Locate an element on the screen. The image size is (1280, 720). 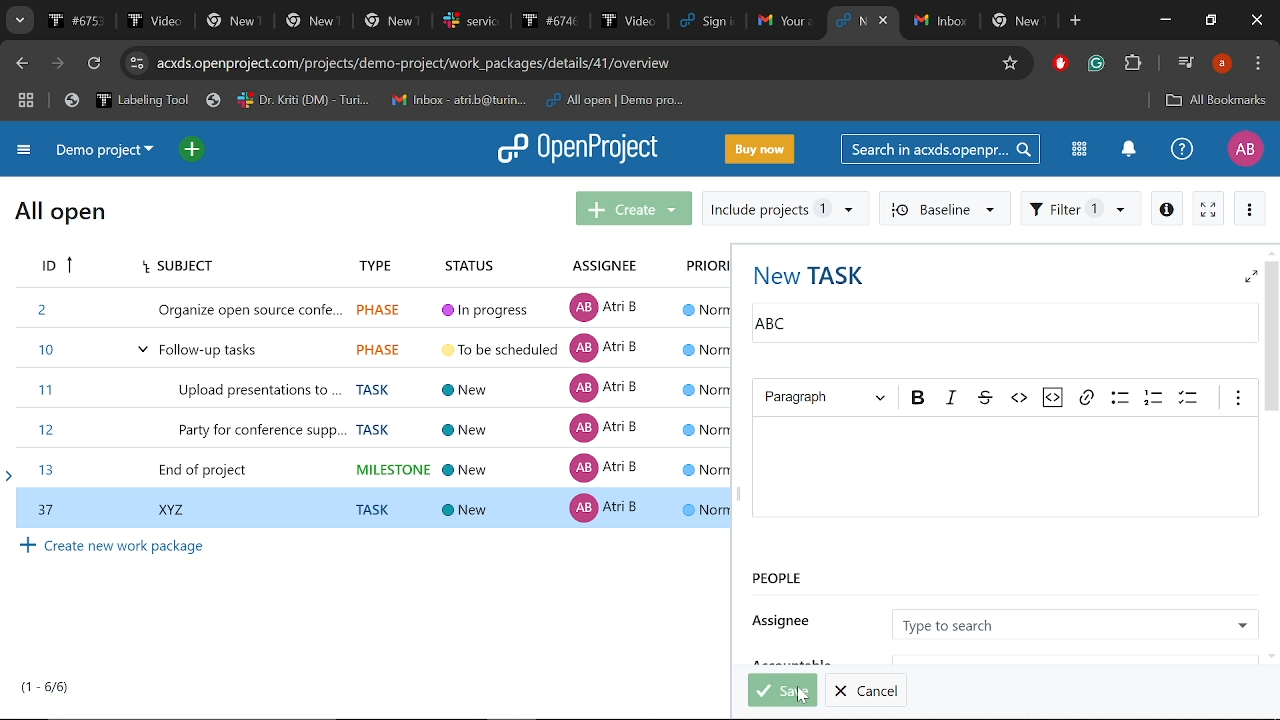
Italic is located at coordinates (950, 398).